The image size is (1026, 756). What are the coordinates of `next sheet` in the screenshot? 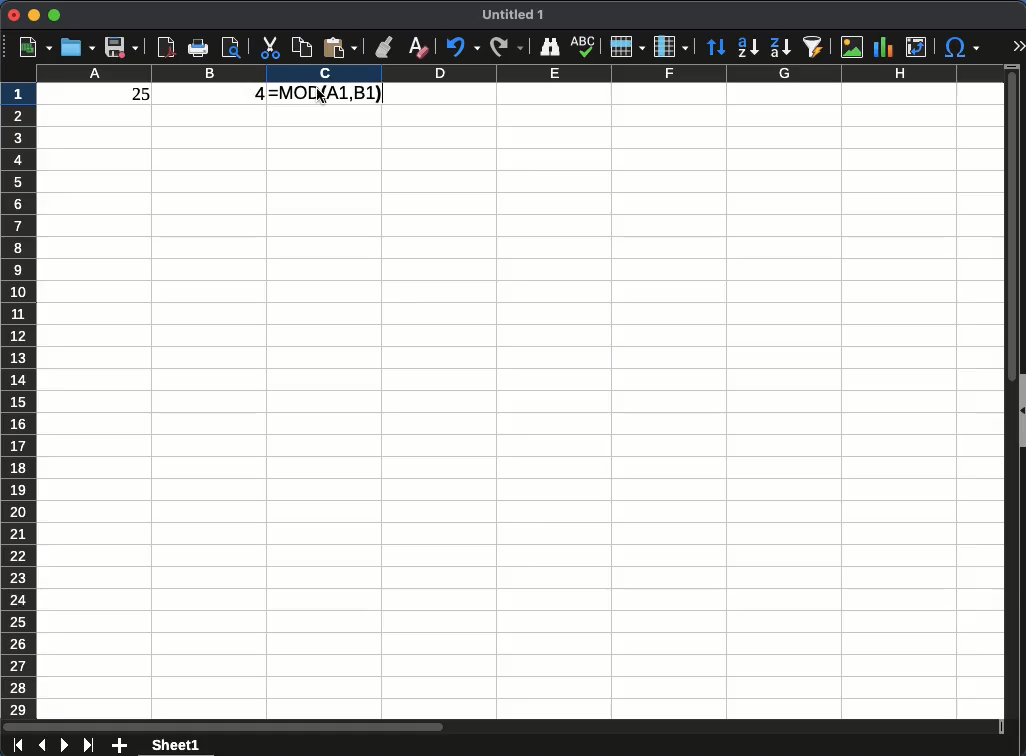 It's located at (64, 745).